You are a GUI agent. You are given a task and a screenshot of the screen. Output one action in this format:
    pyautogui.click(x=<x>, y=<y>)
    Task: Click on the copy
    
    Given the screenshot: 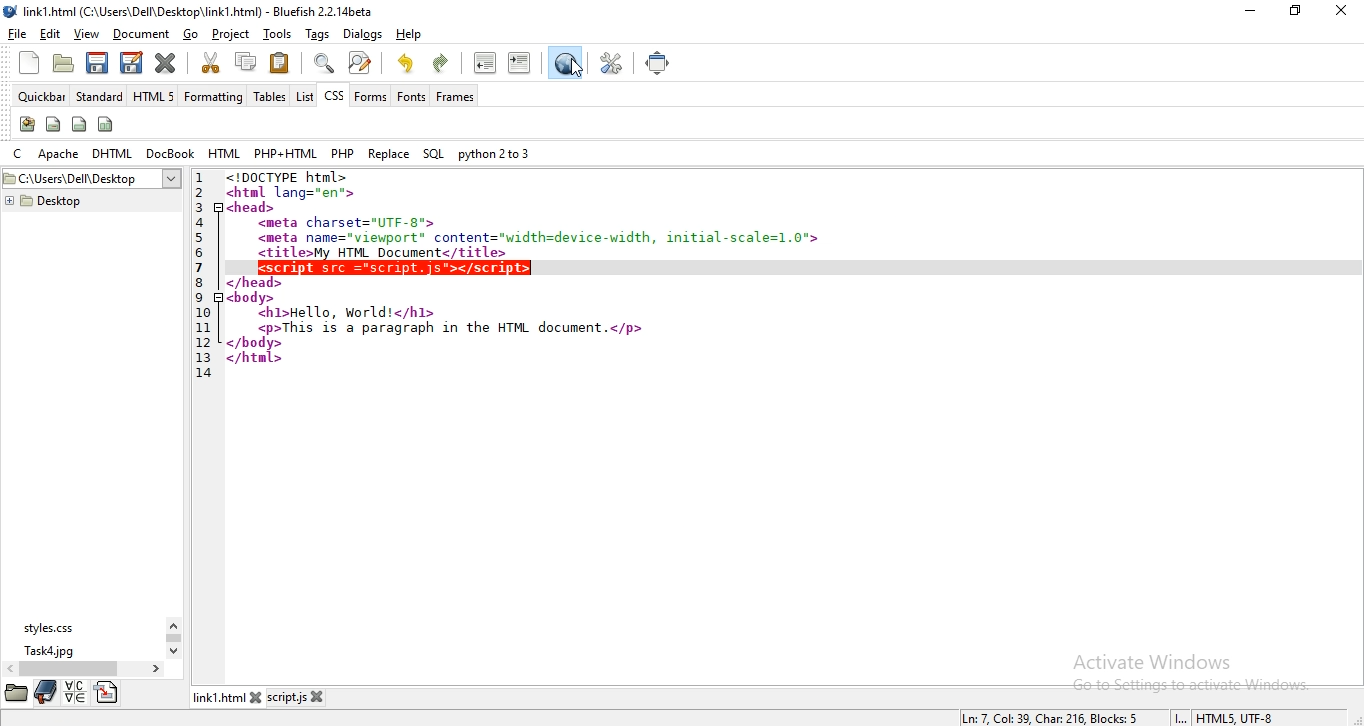 What is the action you would take?
    pyautogui.click(x=246, y=60)
    